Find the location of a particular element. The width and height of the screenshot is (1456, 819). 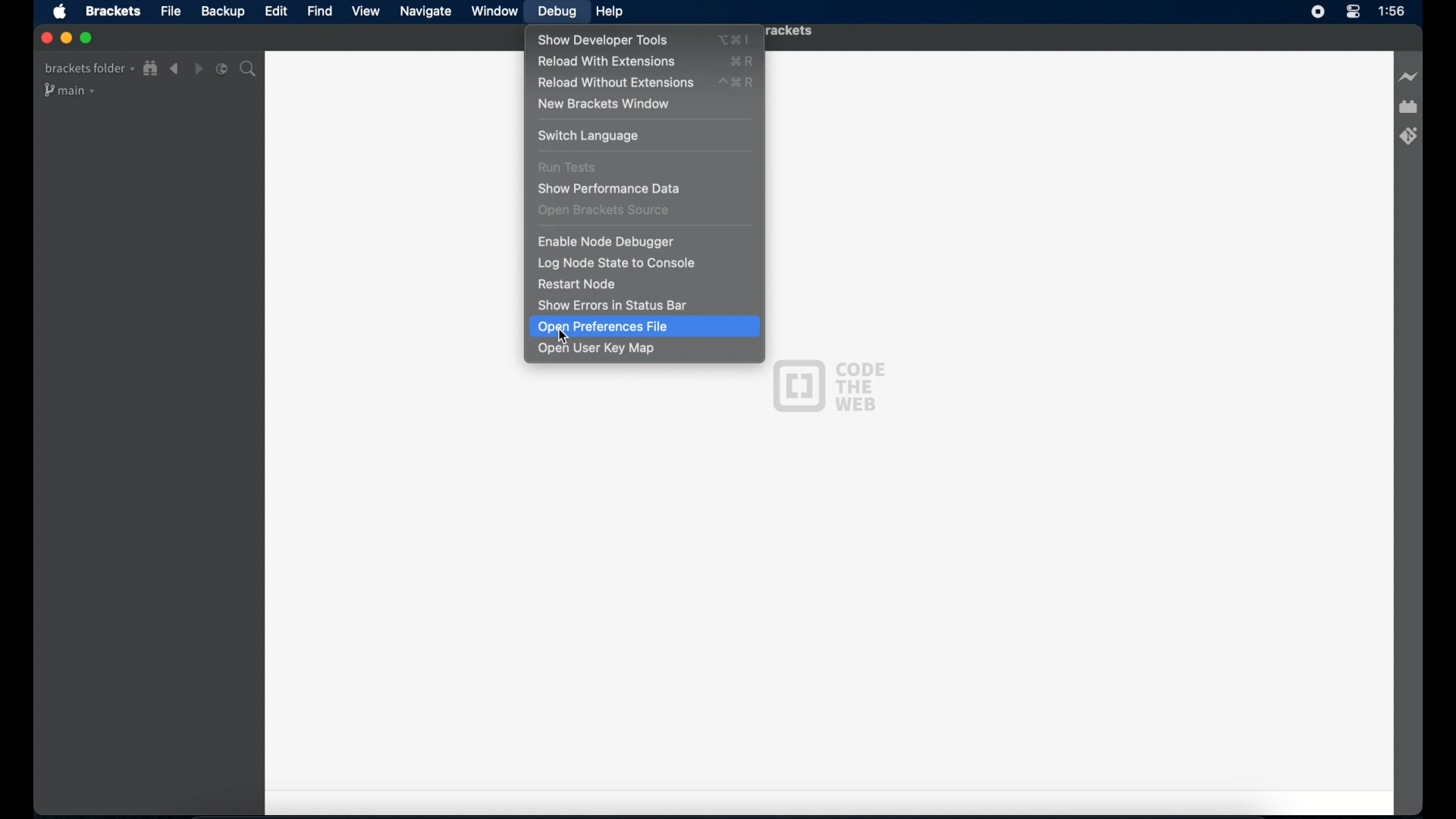

brackets folder is located at coordinates (88, 68).